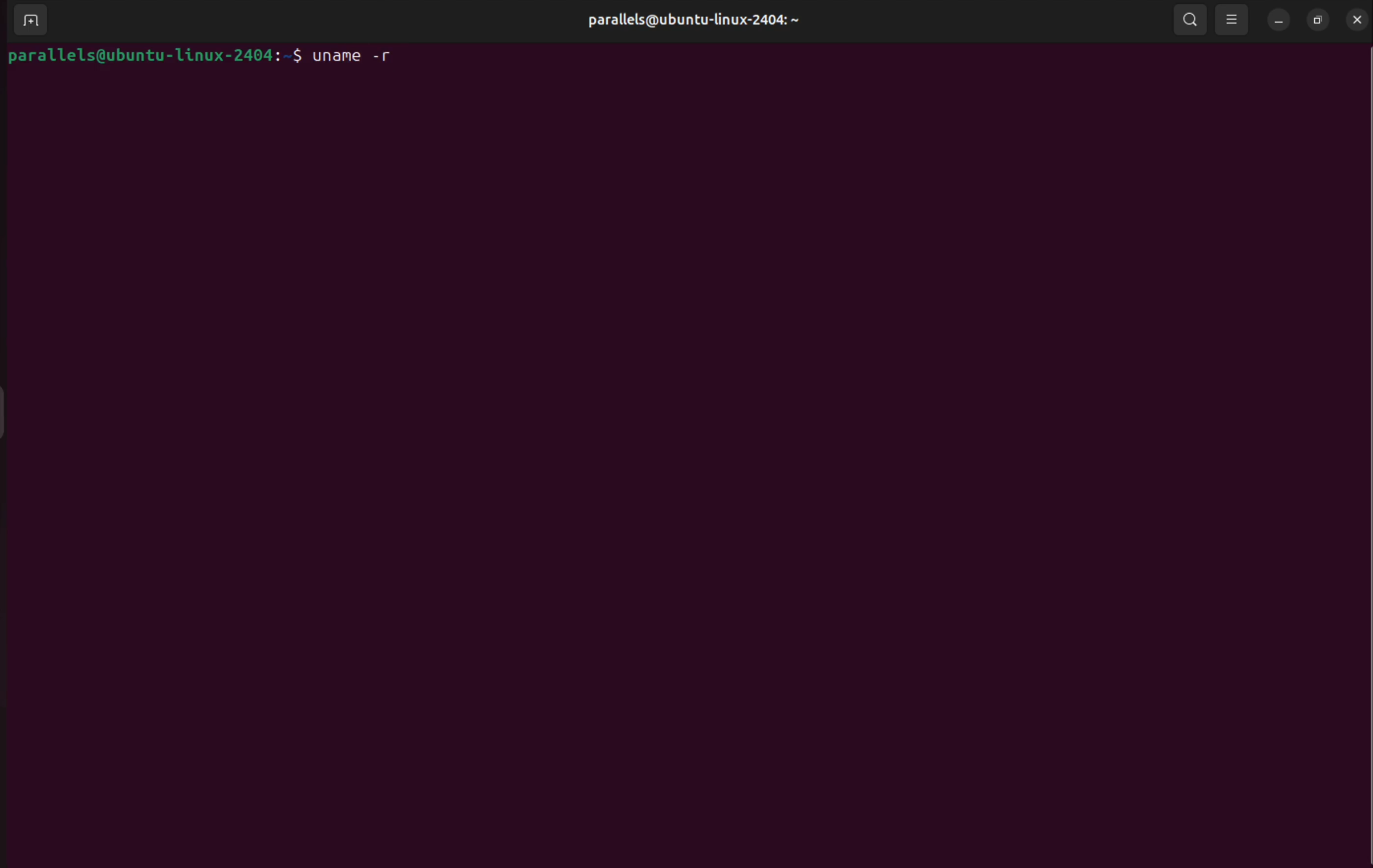  What do you see at coordinates (1234, 20) in the screenshot?
I see `view options` at bounding box center [1234, 20].